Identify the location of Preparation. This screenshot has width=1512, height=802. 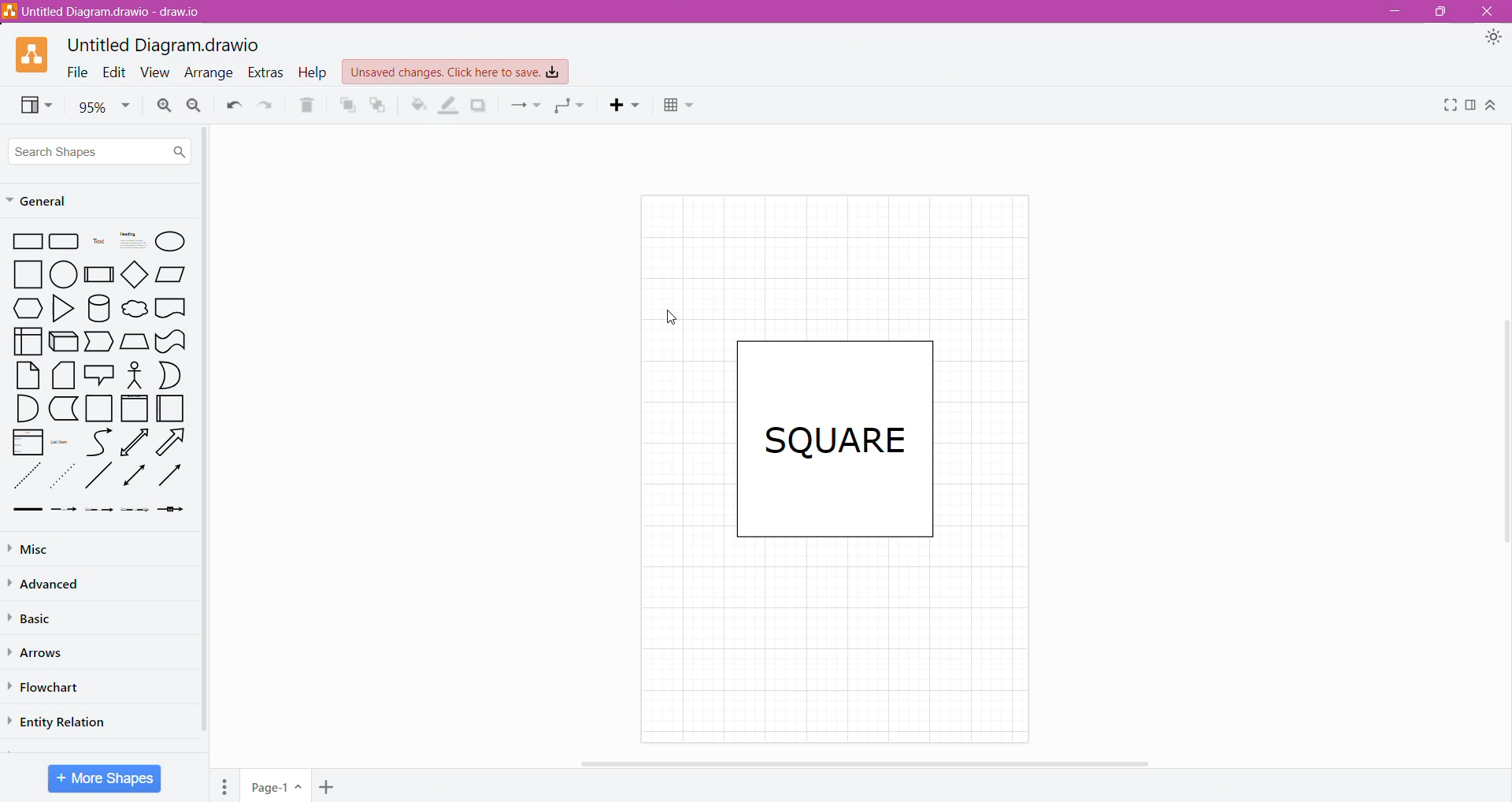
(23, 308).